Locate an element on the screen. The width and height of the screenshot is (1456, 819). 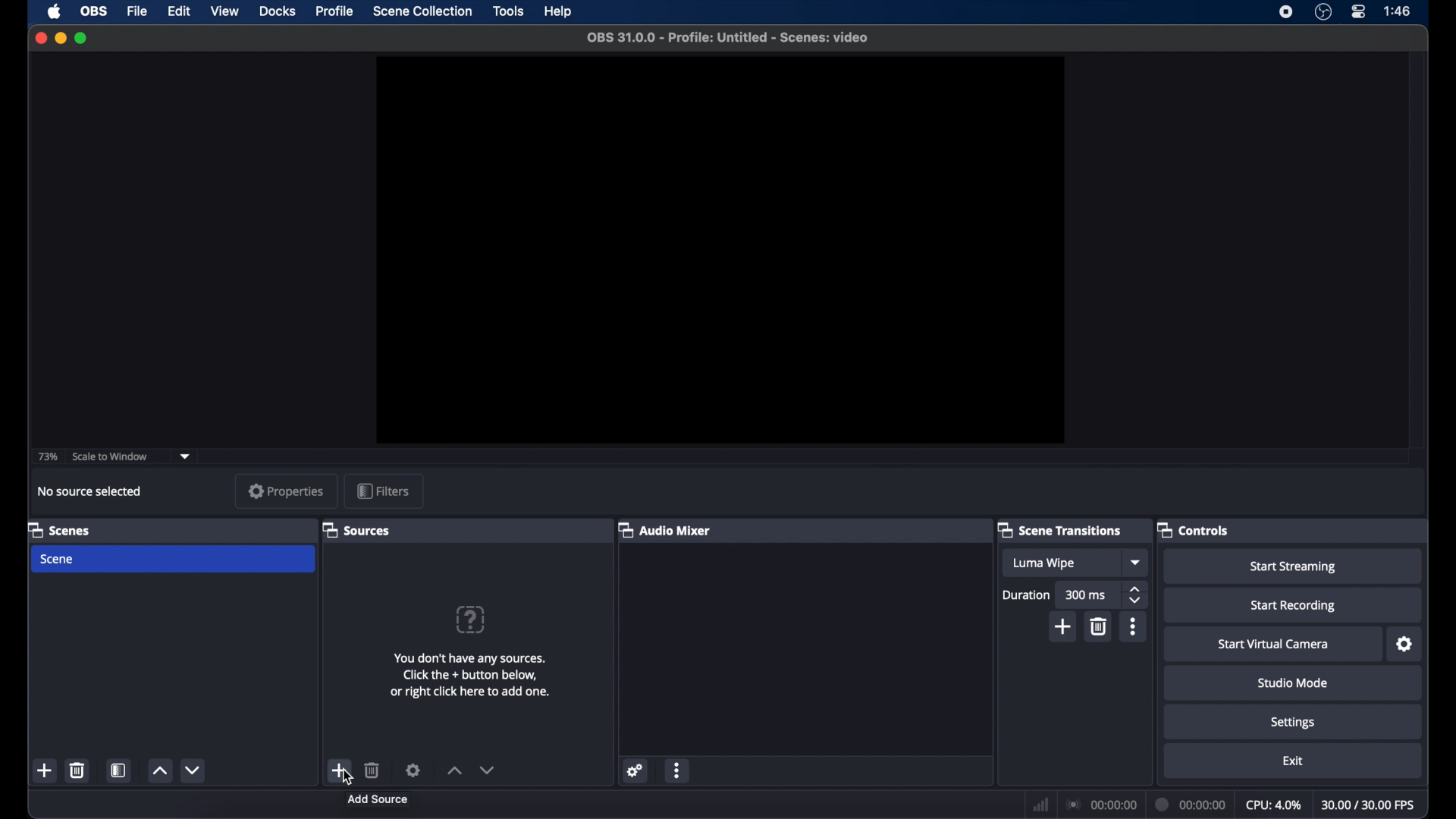
more options is located at coordinates (677, 772).